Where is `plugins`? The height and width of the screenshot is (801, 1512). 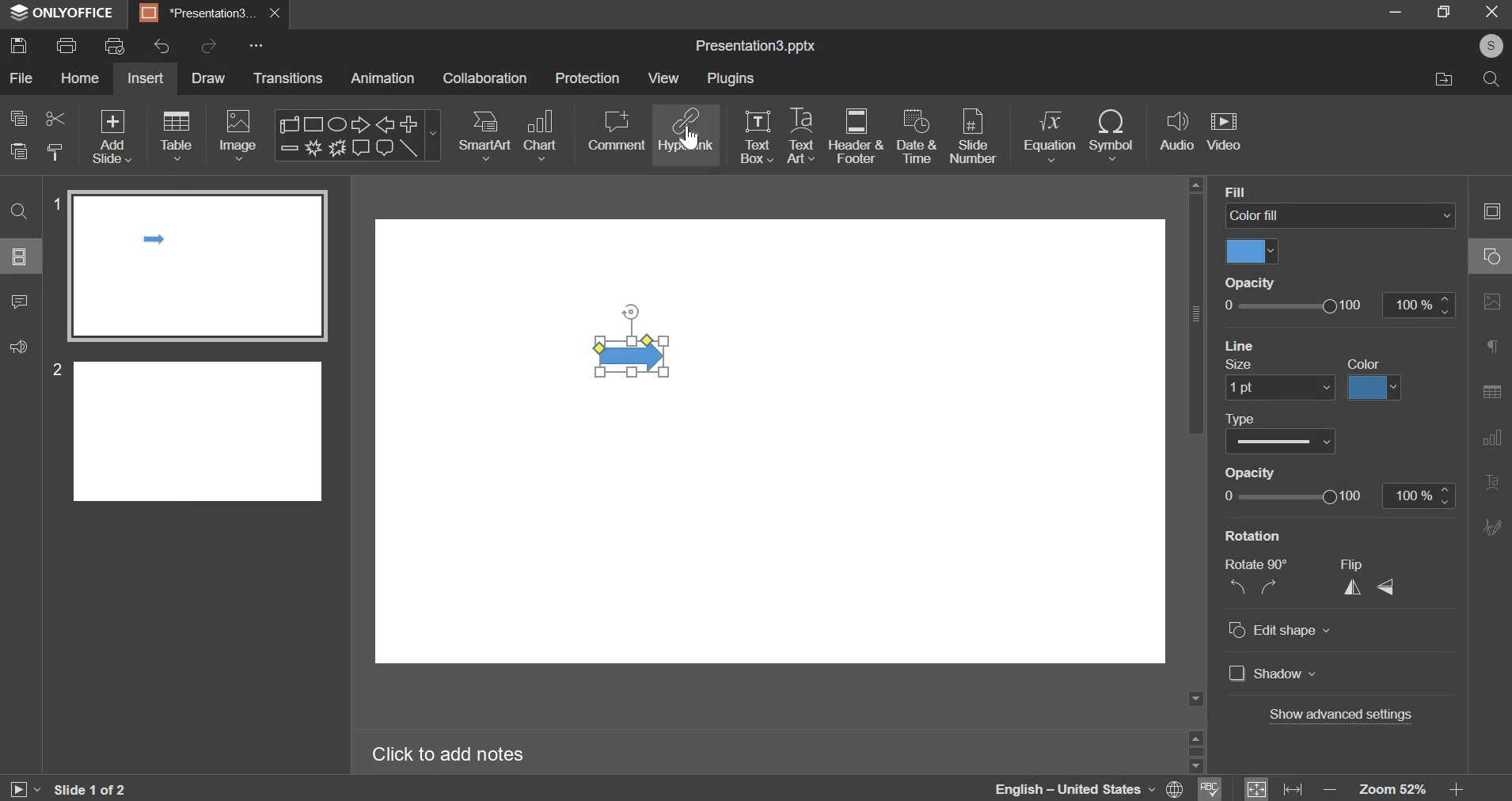
plugins is located at coordinates (731, 78).